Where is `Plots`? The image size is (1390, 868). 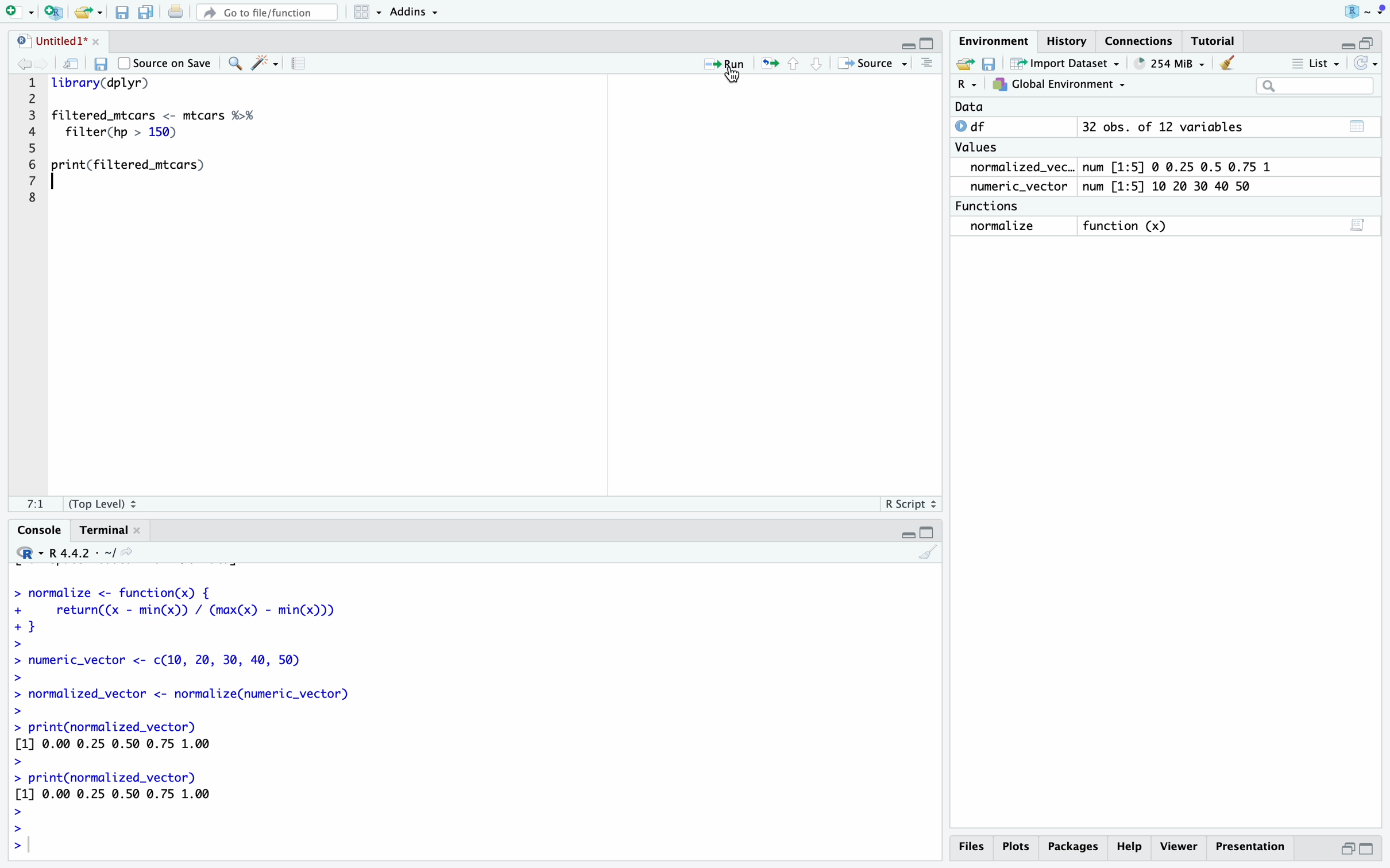 Plots is located at coordinates (1015, 847).